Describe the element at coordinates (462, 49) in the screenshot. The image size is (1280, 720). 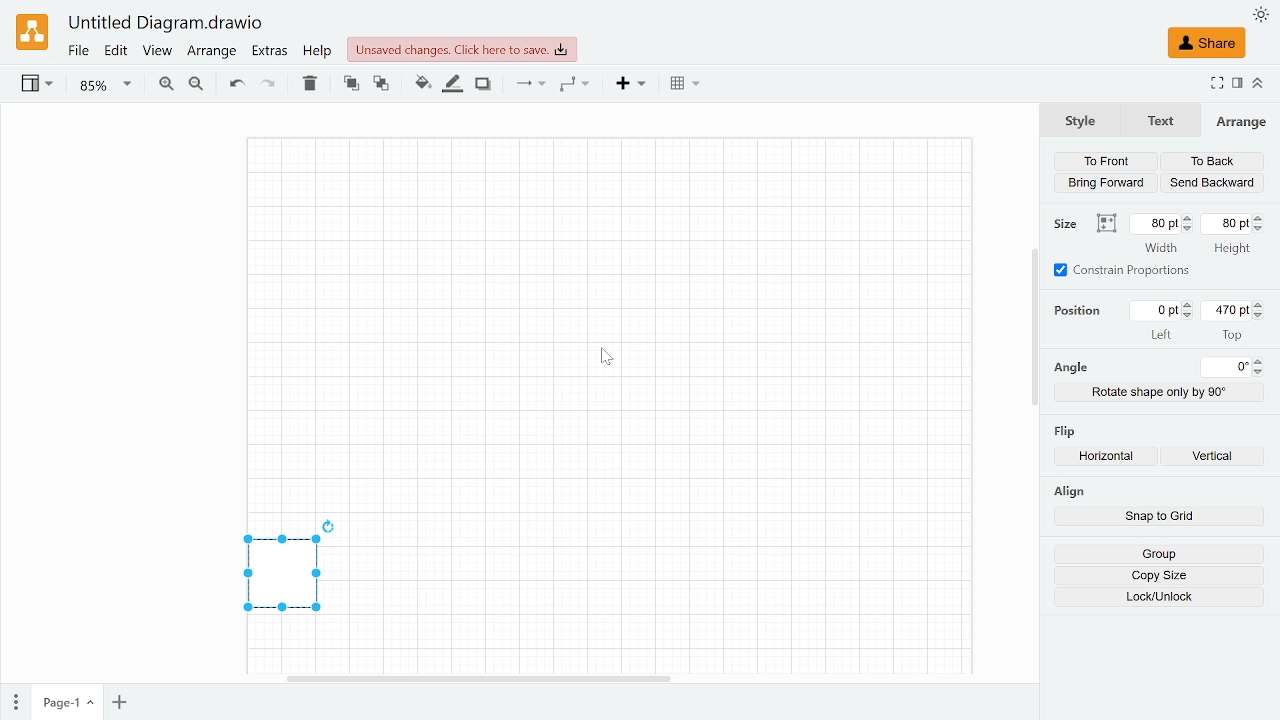
I see `Unsaved changes. Click here to save.` at that location.